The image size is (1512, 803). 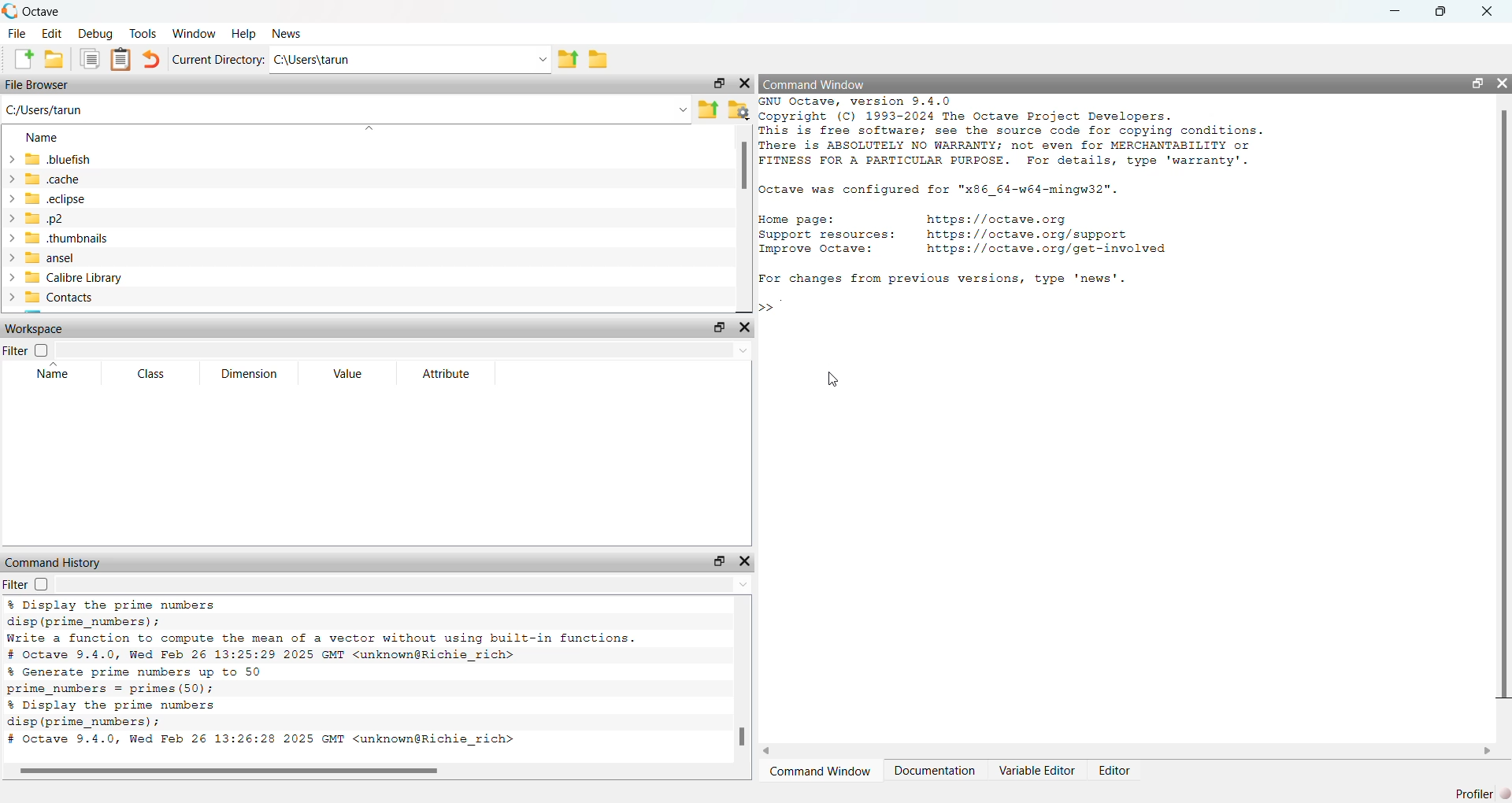 What do you see at coordinates (1504, 404) in the screenshot?
I see `scroll bar` at bounding box center [1504, 404].